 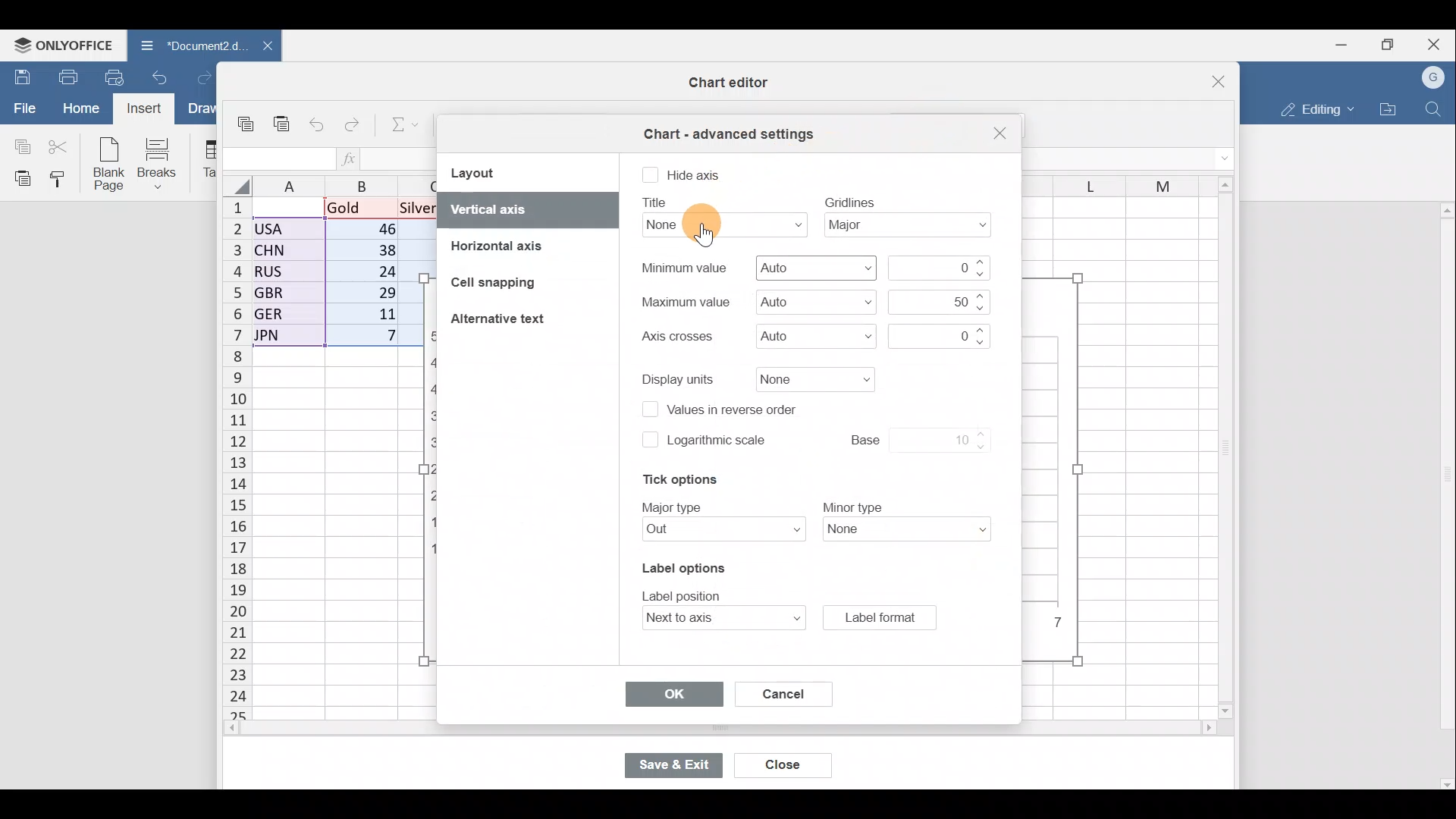 I want to click on text, so click(x=684, y=301).